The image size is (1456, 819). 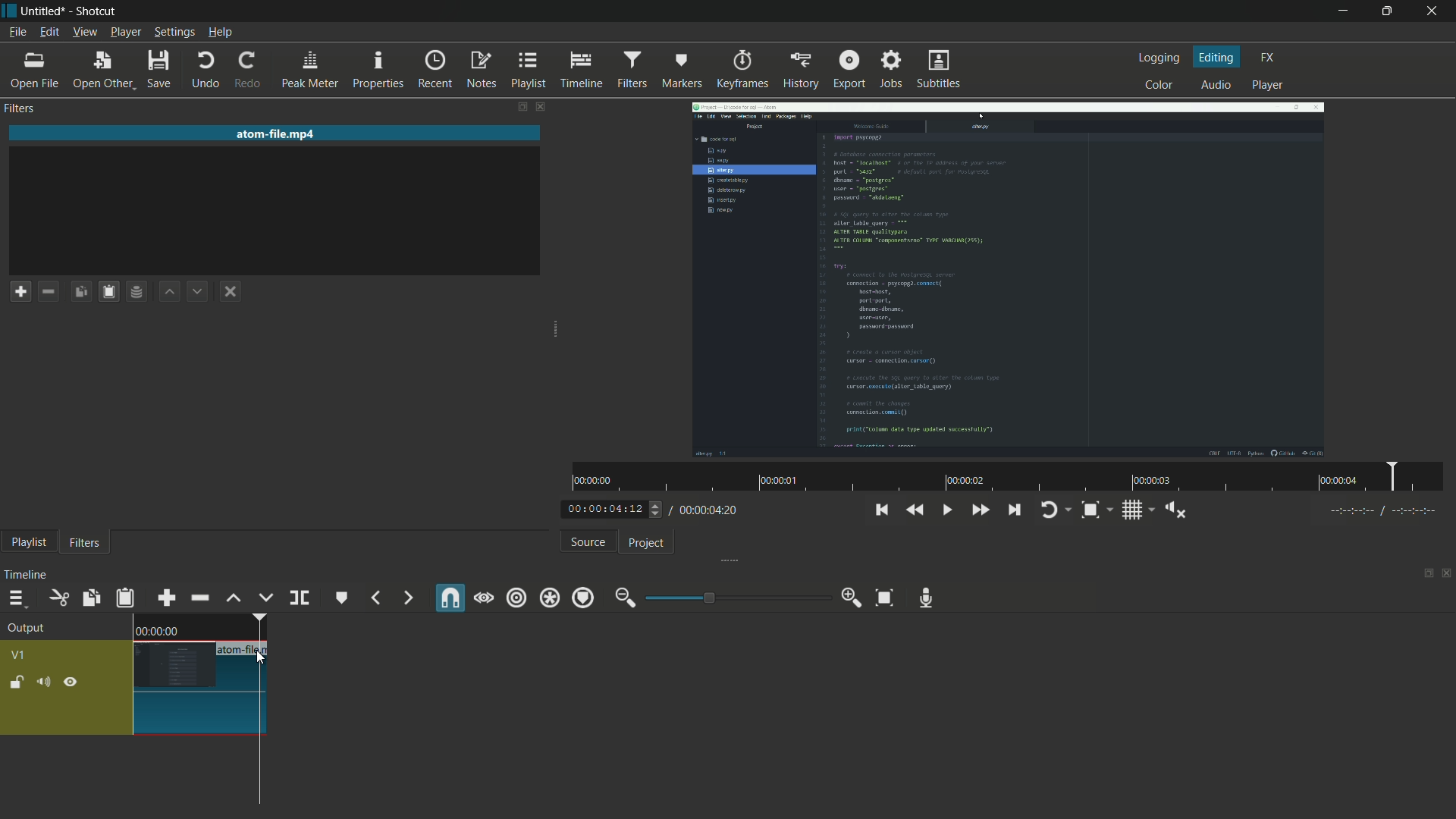 I want to click on snap, so click(x=450, y=598).